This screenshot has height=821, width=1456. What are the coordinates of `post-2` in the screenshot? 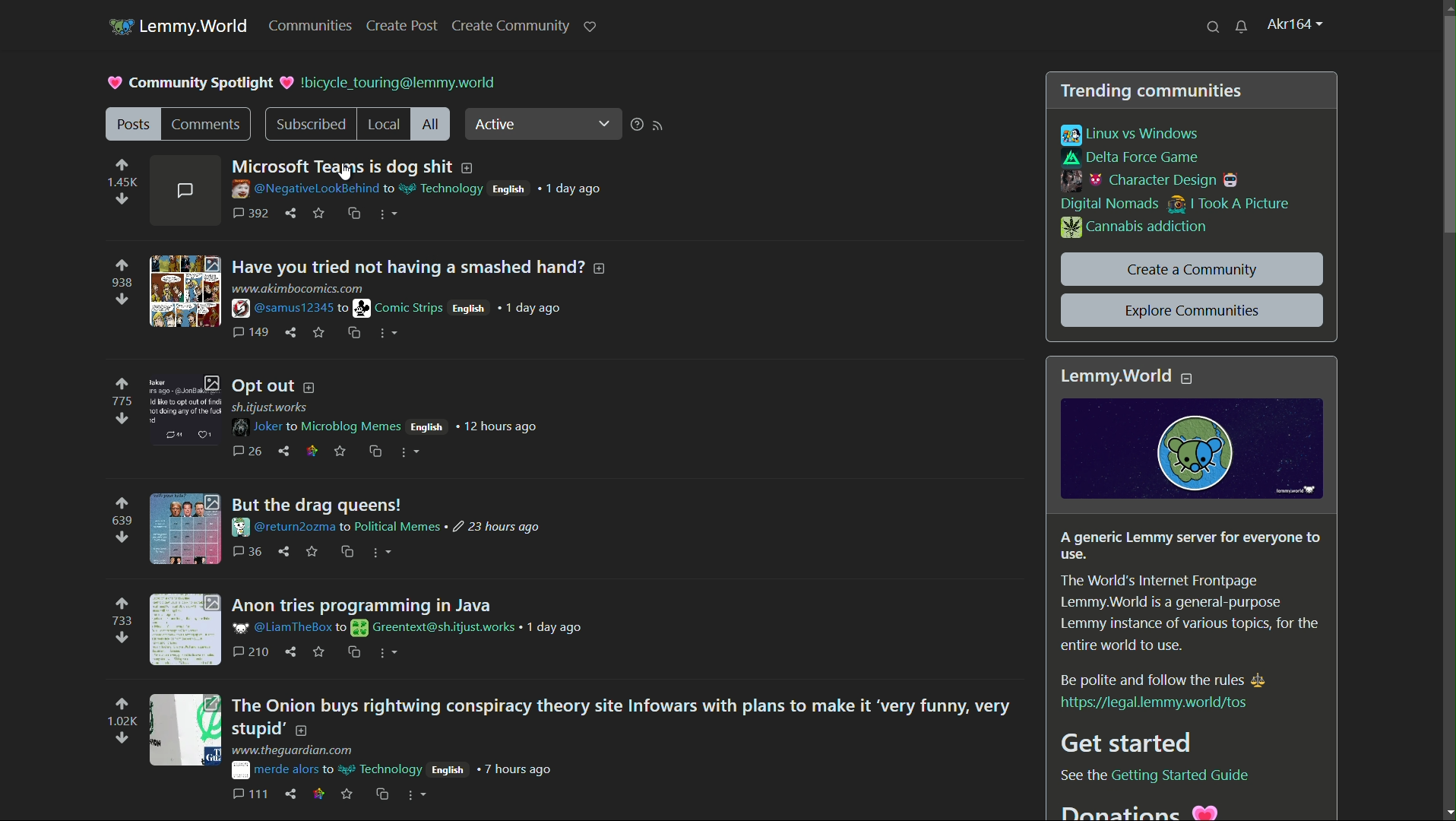 It's located at (427, 265).